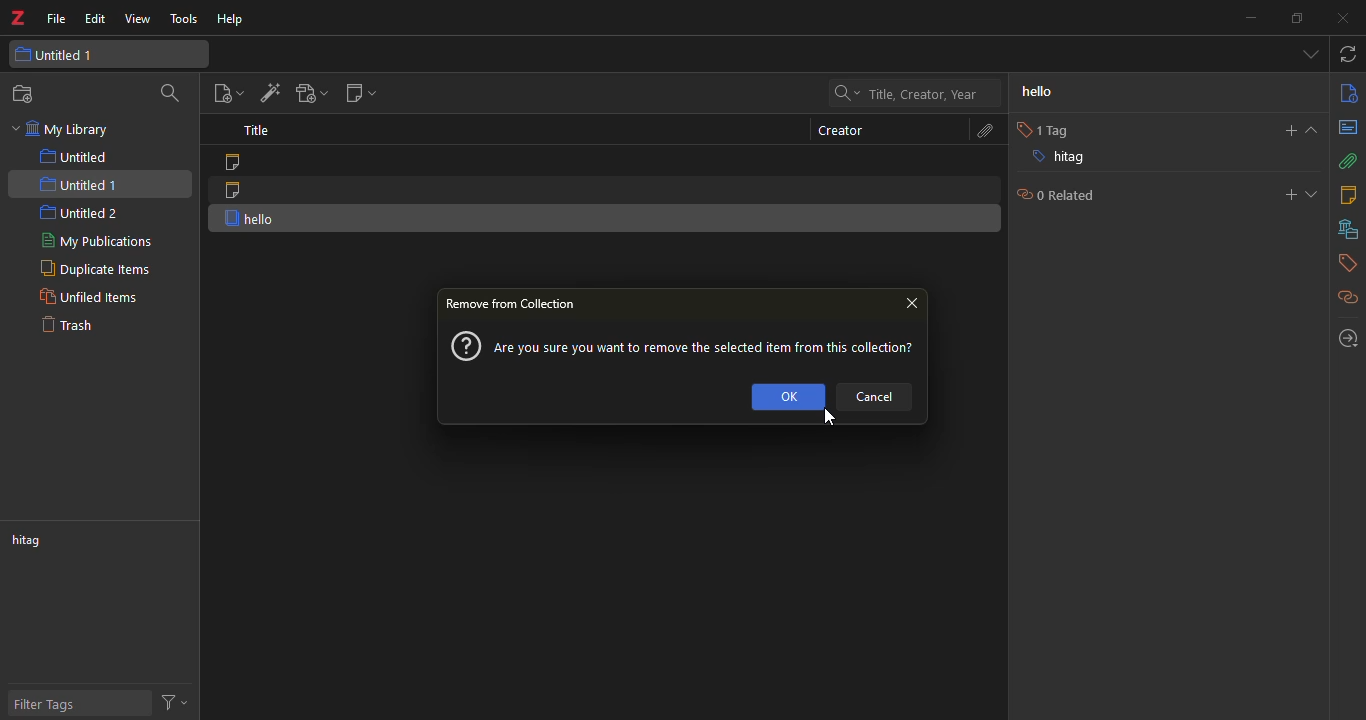 This screenshot has height=720, width=1366. Describe the element at coordinates (92, 269) in the screenshot. I see `duplicated items` at that location.